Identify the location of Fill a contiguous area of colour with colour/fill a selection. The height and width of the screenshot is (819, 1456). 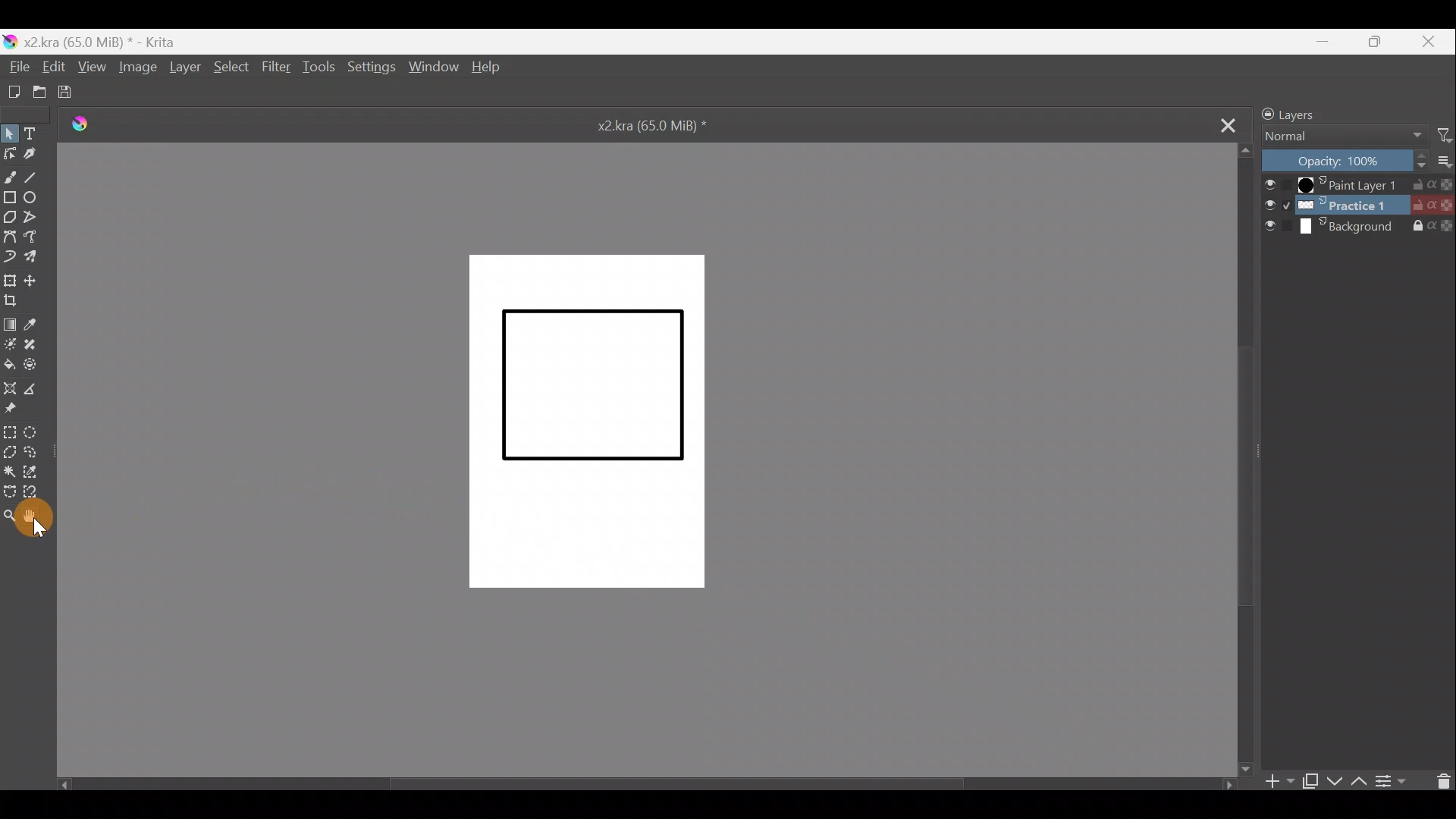
(9, 359).